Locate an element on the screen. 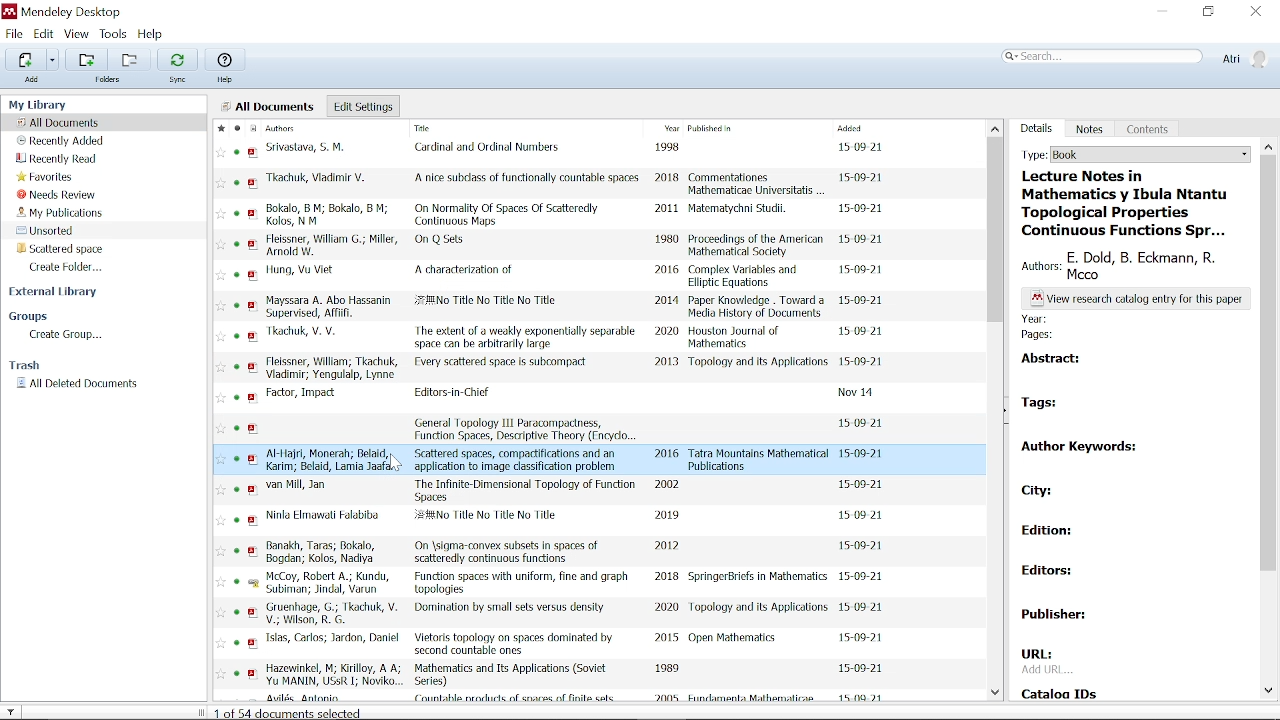 The width and height of the screenshot is (1280, 720). Year is located at coordinates (669, 129).